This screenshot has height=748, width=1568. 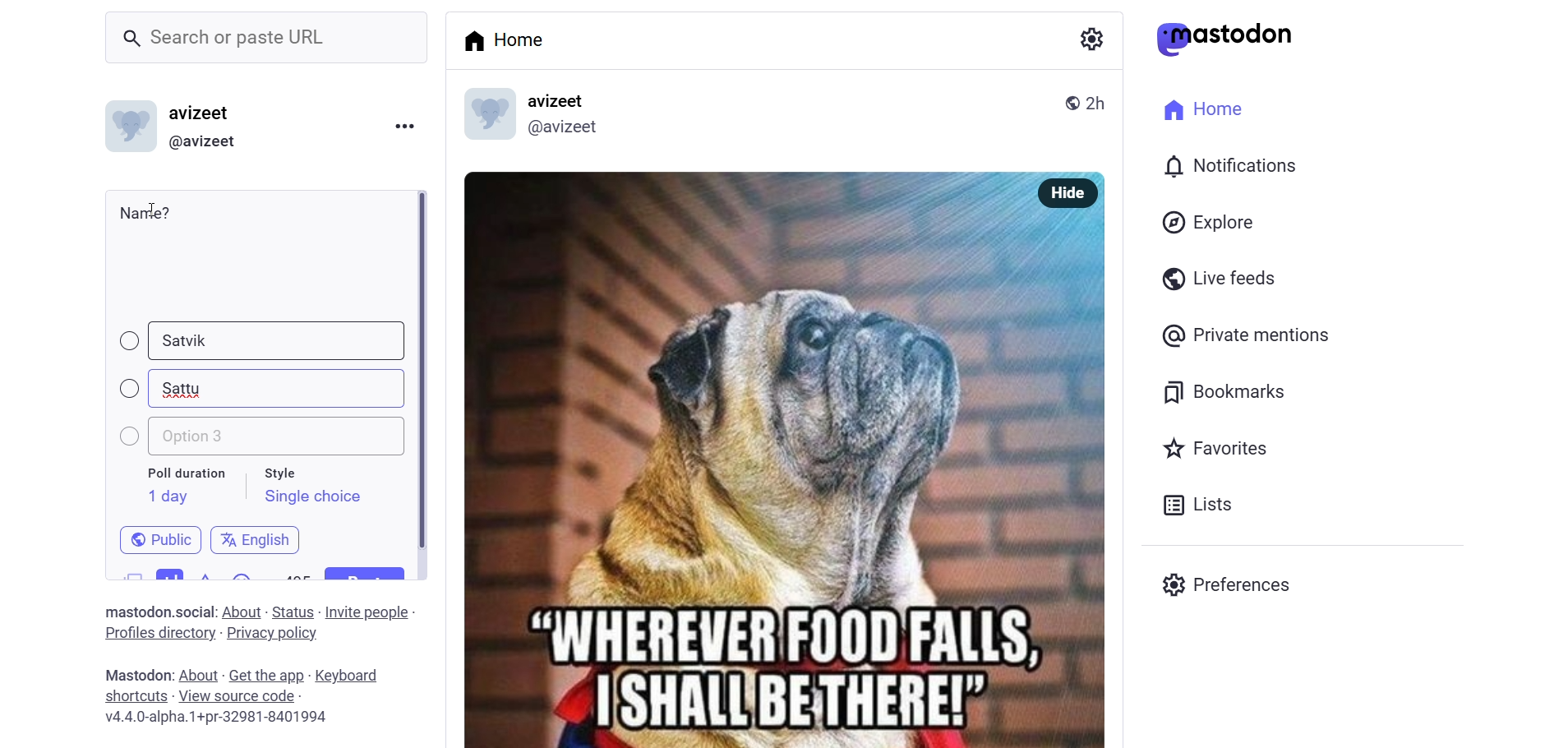 What do you see at coordinates (1066, 101) in the screenshot?
I see `public` at bounding box center [1066, 101].